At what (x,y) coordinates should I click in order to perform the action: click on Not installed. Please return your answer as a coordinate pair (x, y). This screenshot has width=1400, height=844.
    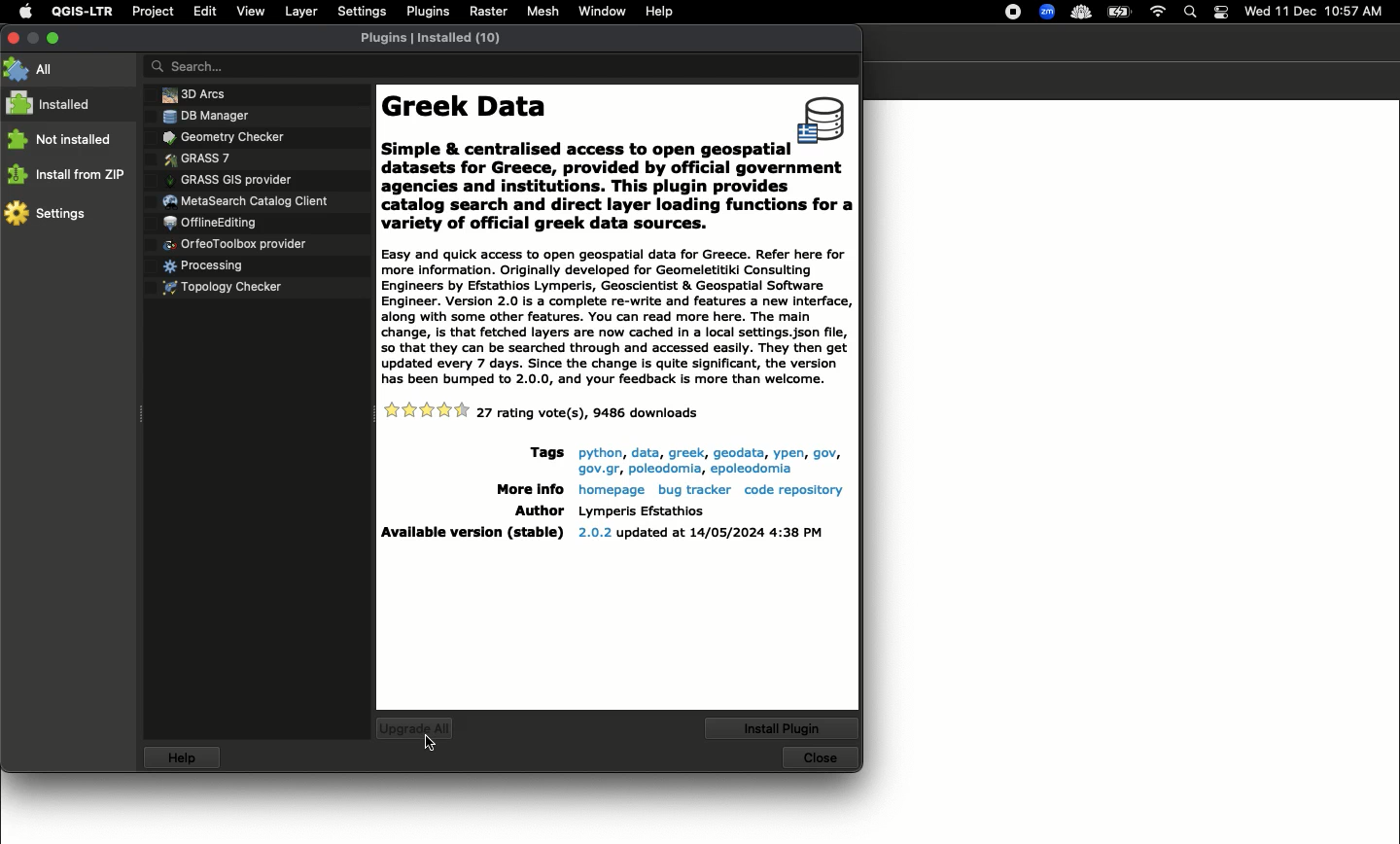
    Looking at the image, I should click on (61, 139).